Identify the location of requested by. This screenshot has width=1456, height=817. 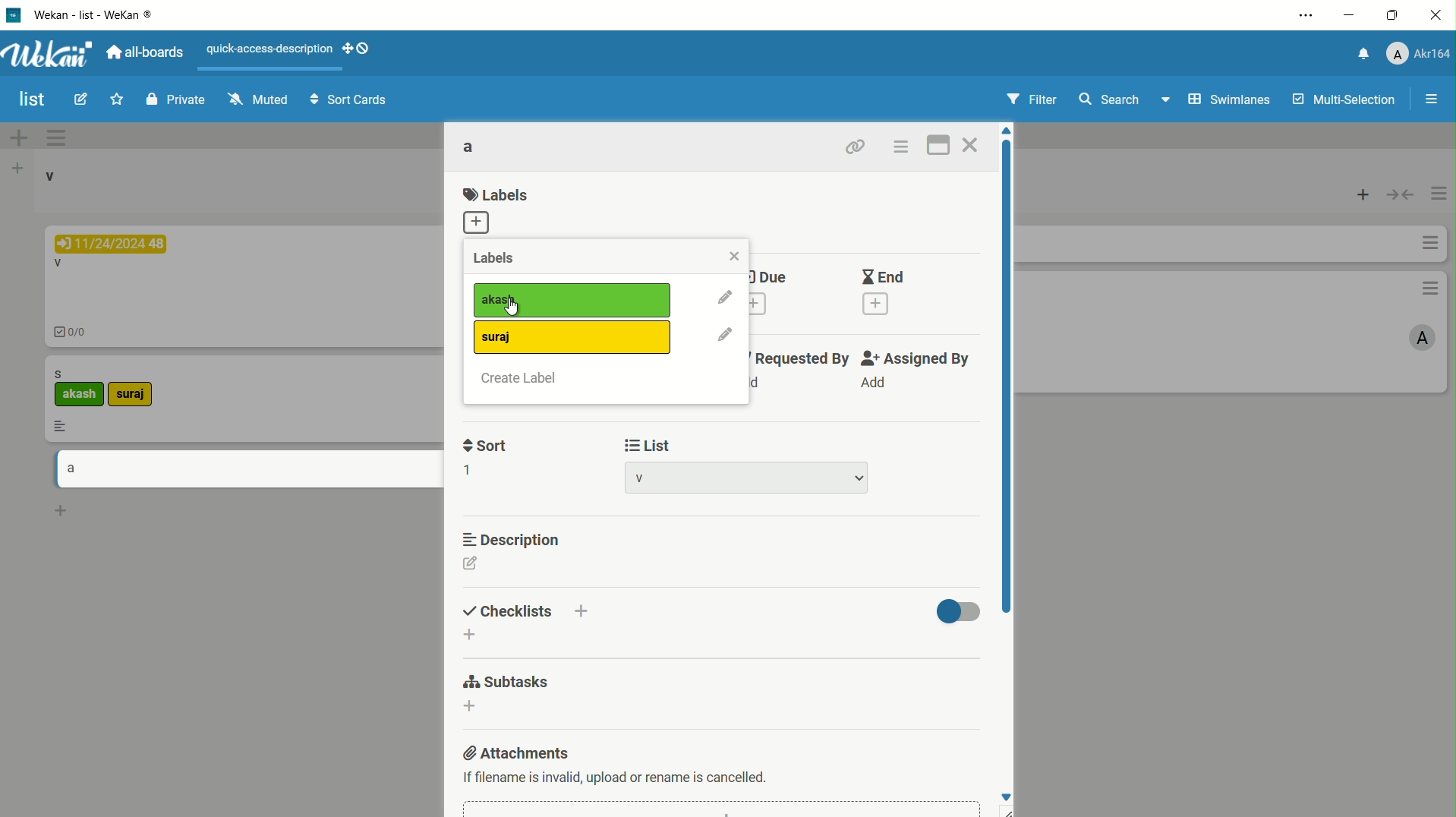
(802, 355).